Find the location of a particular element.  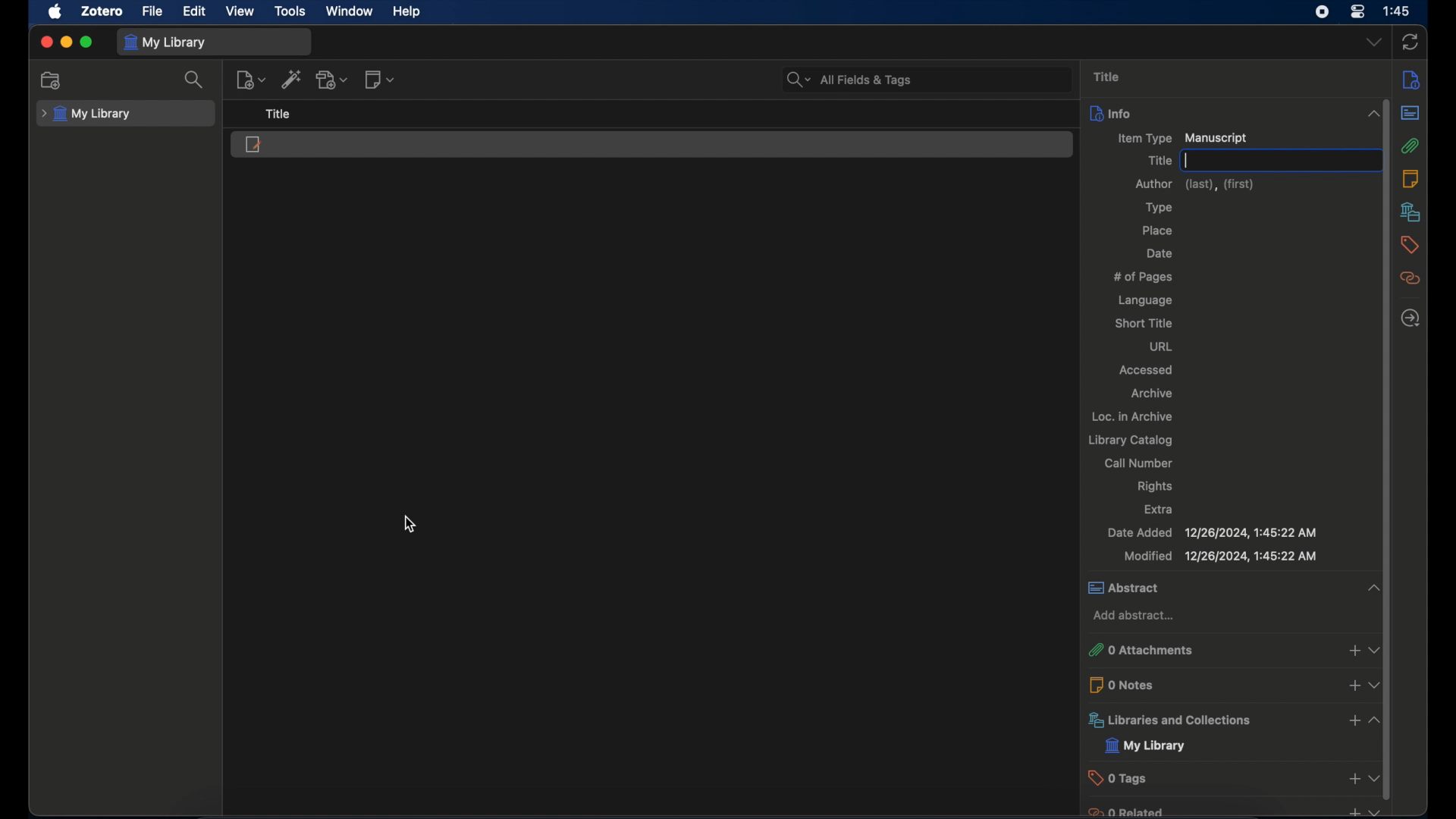

0 tags is located at coordinates (1236, 777).